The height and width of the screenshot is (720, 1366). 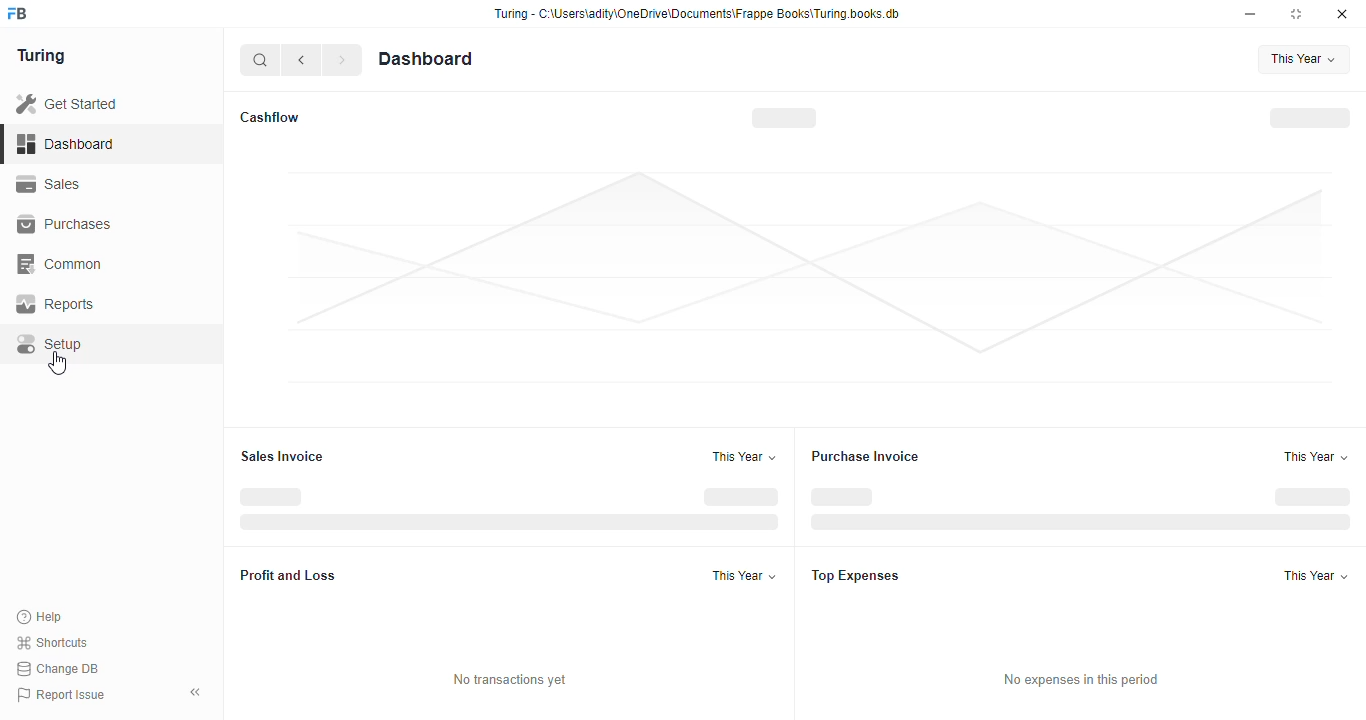 I want to click on search , so click(x=261, y=59).